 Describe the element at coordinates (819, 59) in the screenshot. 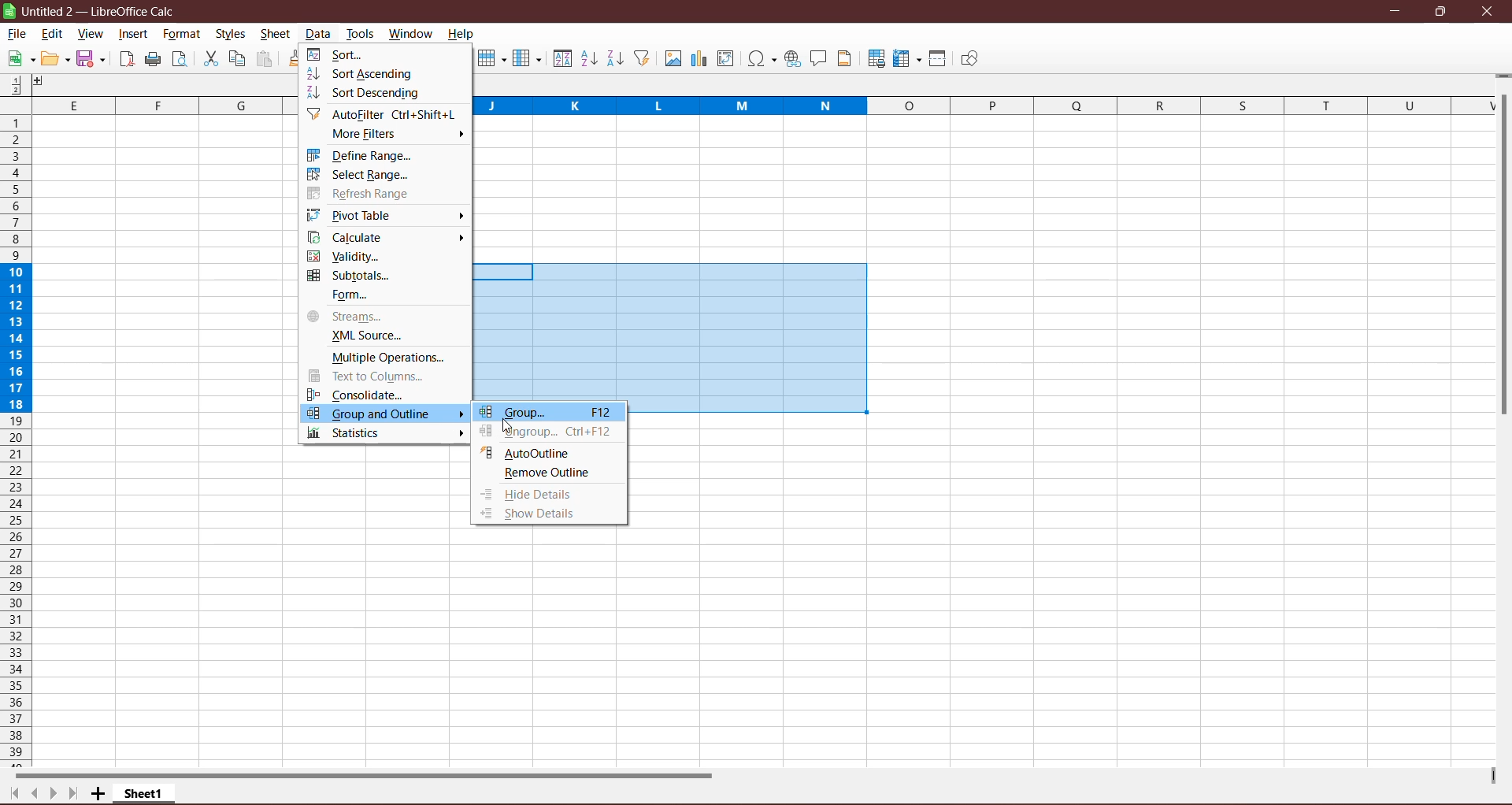

I see `Insert Comment` at that location.